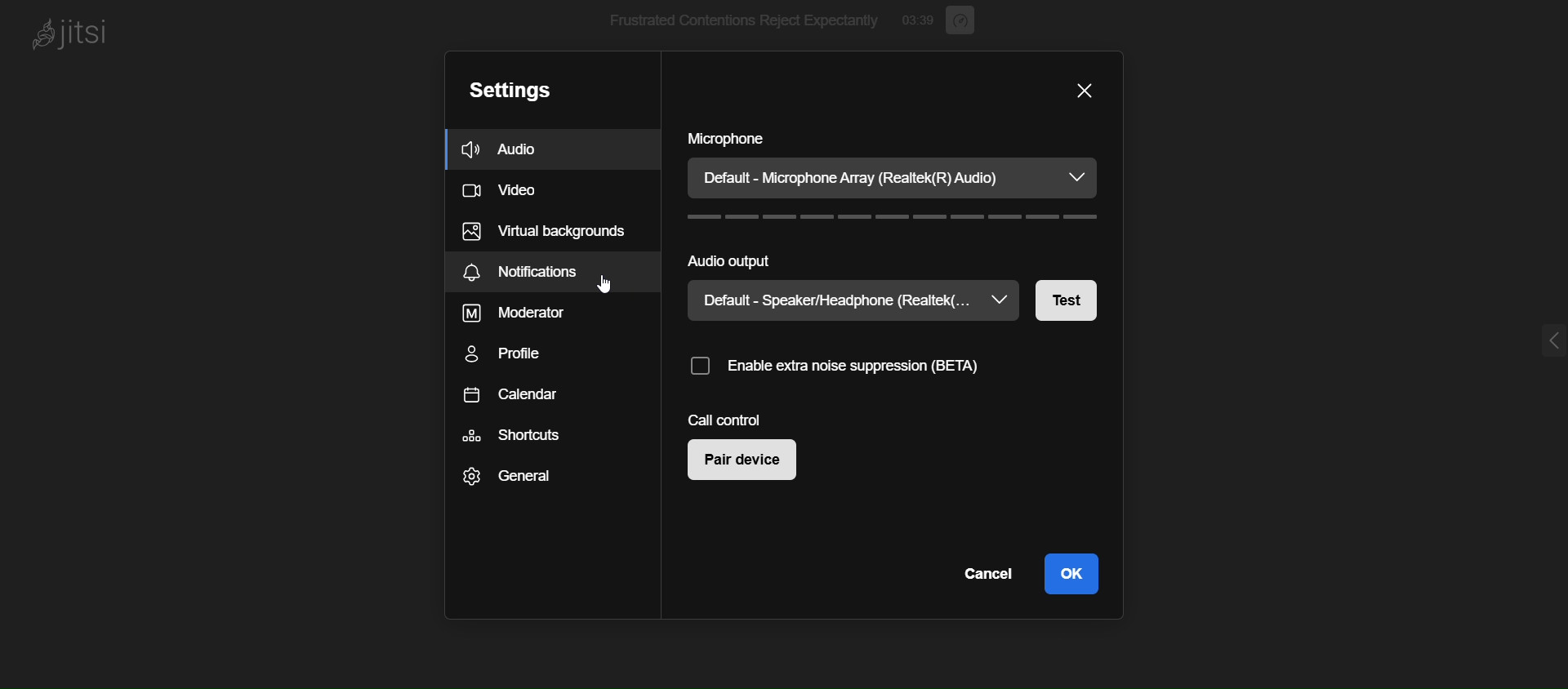 This screenshot has width=1568, height=689. What do you see at coordinates (893, 179) in the screenshot?
I see `display microphone` at bounding box center [893, 179].